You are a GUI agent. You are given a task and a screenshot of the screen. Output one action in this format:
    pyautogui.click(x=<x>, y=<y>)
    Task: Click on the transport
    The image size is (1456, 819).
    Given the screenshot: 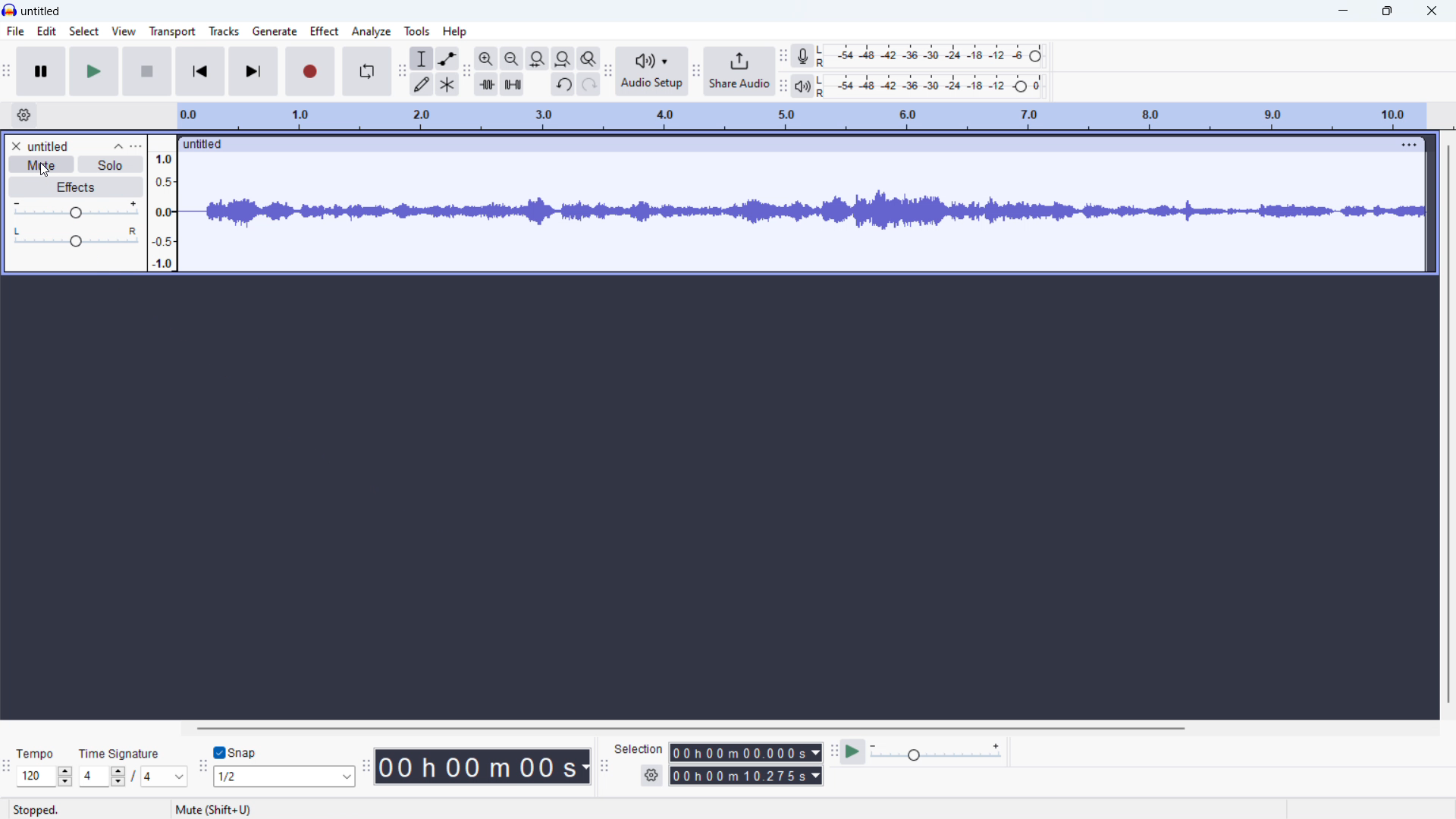 What is the action you would take?
    pyautogui.click(x=172, y=32)
    